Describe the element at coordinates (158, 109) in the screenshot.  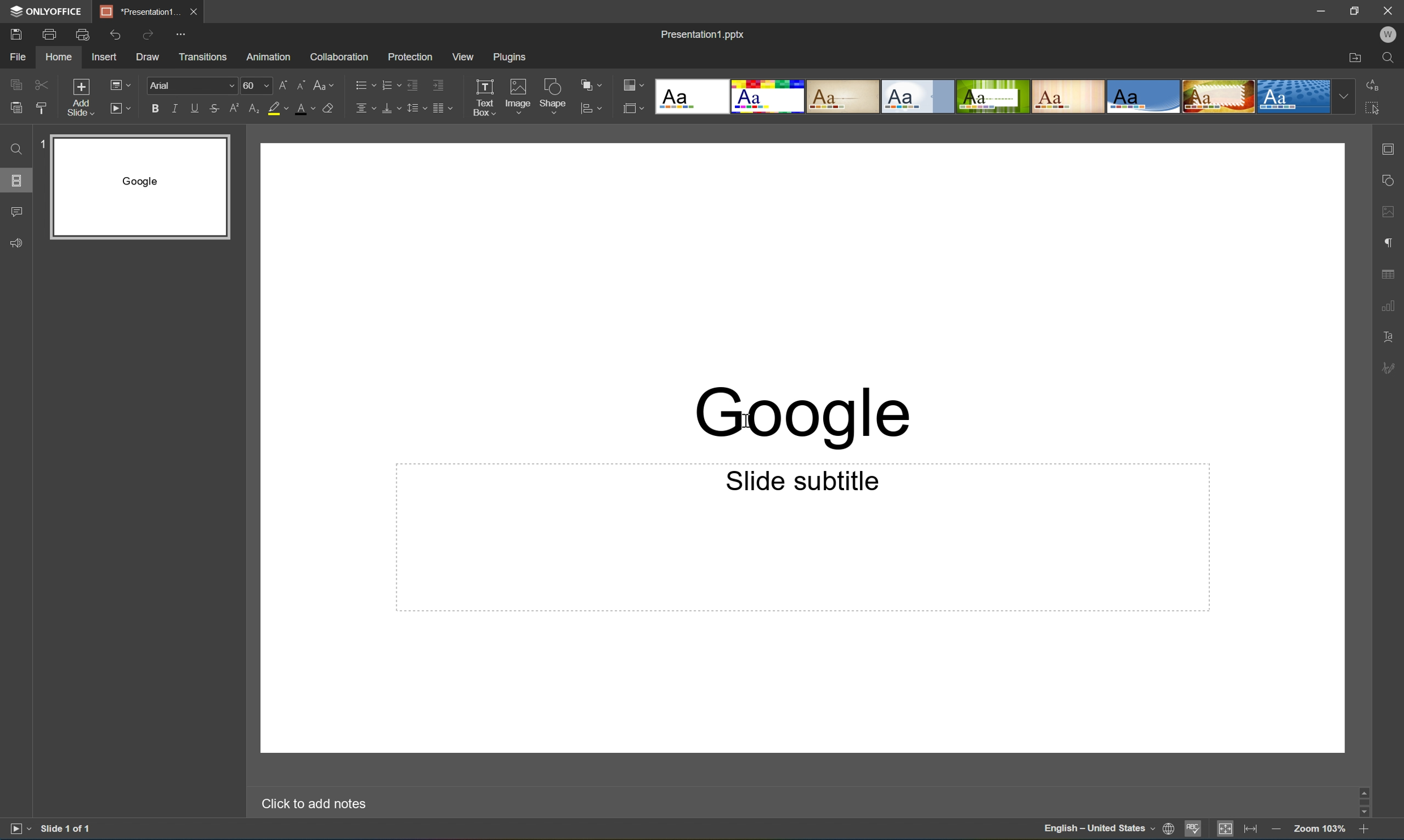
I see `Bold` at that location.